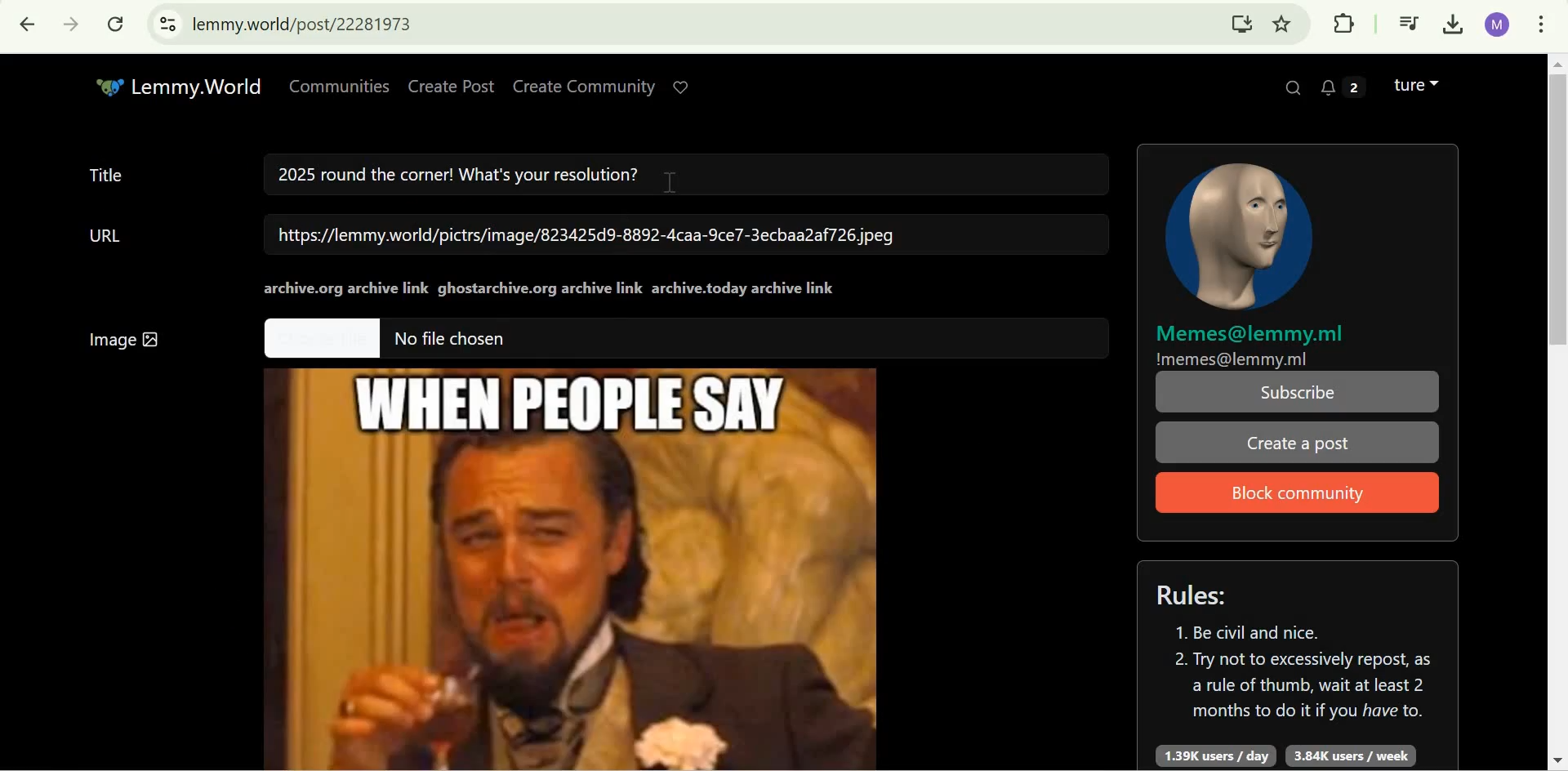  What do you see at coordinates (1217, 756) in the screenshot?
I see `1.39K users/day` at bounding box center [1217, 756].